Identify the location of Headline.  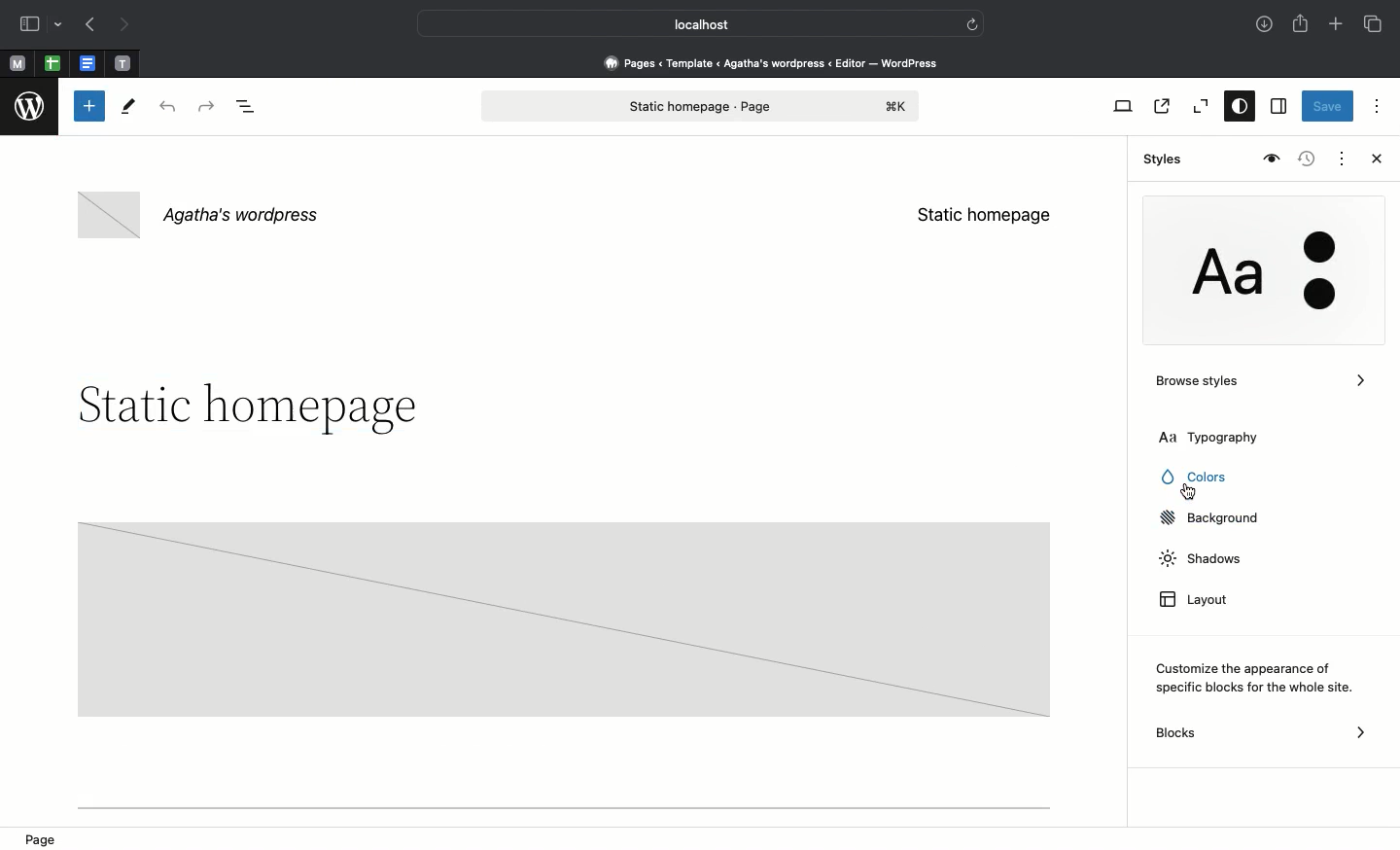
(244, 408).